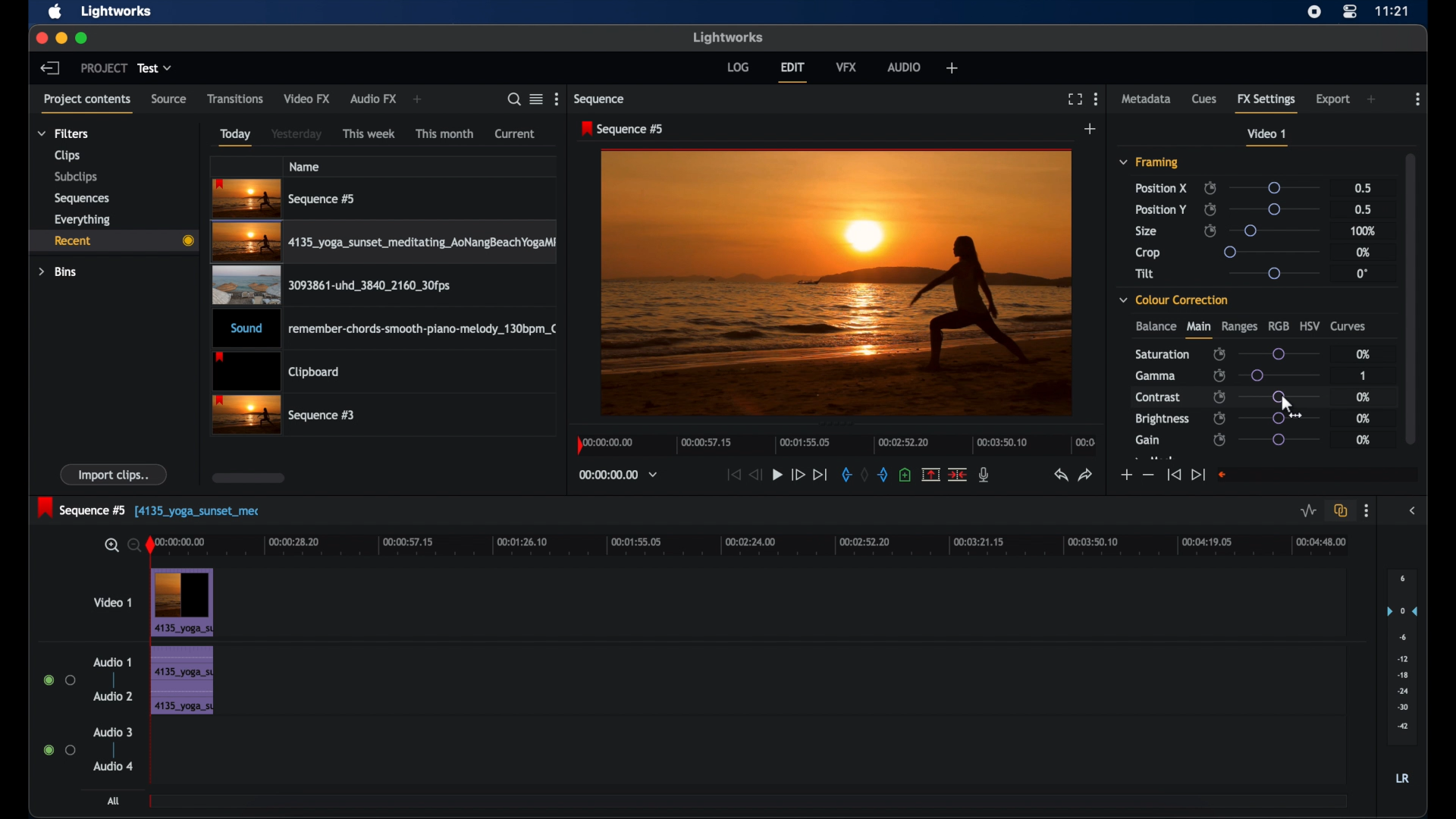  What do you see at coordinates (601, 99) in the screenshot?
I see `sequence` at bounding box center [601, 99].